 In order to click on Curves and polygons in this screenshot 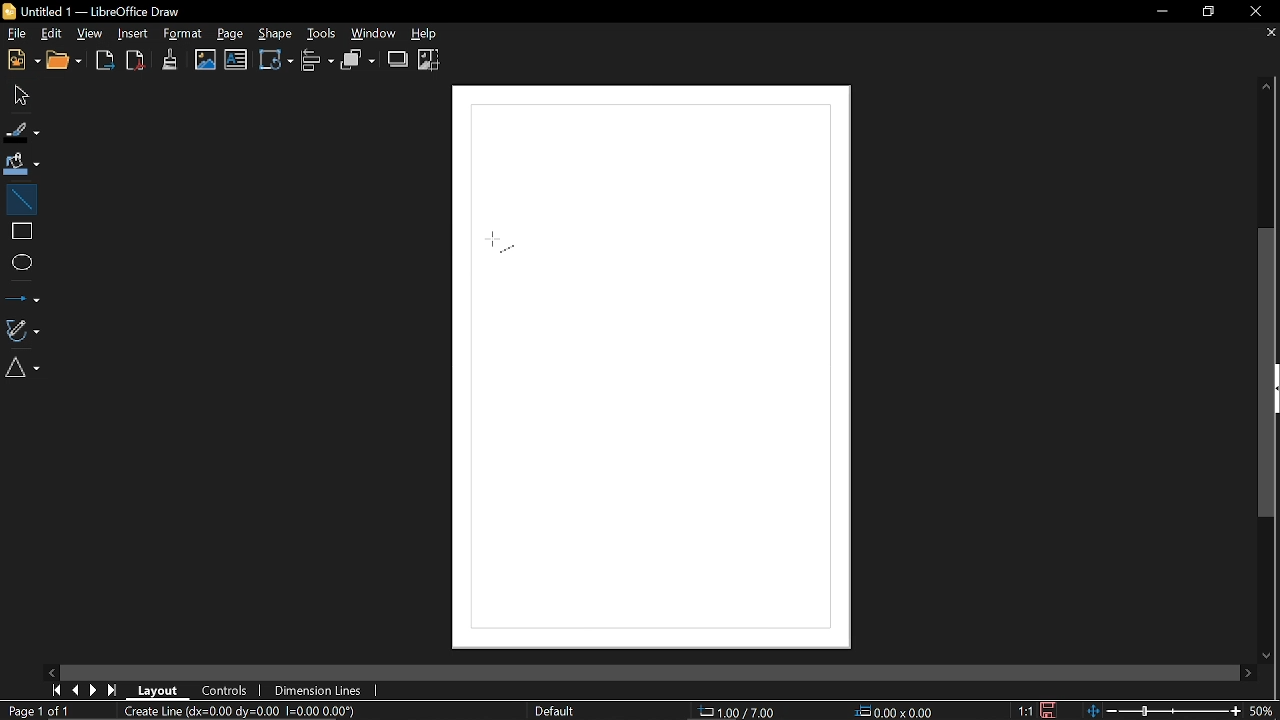, I will do `click(23, 330)`.